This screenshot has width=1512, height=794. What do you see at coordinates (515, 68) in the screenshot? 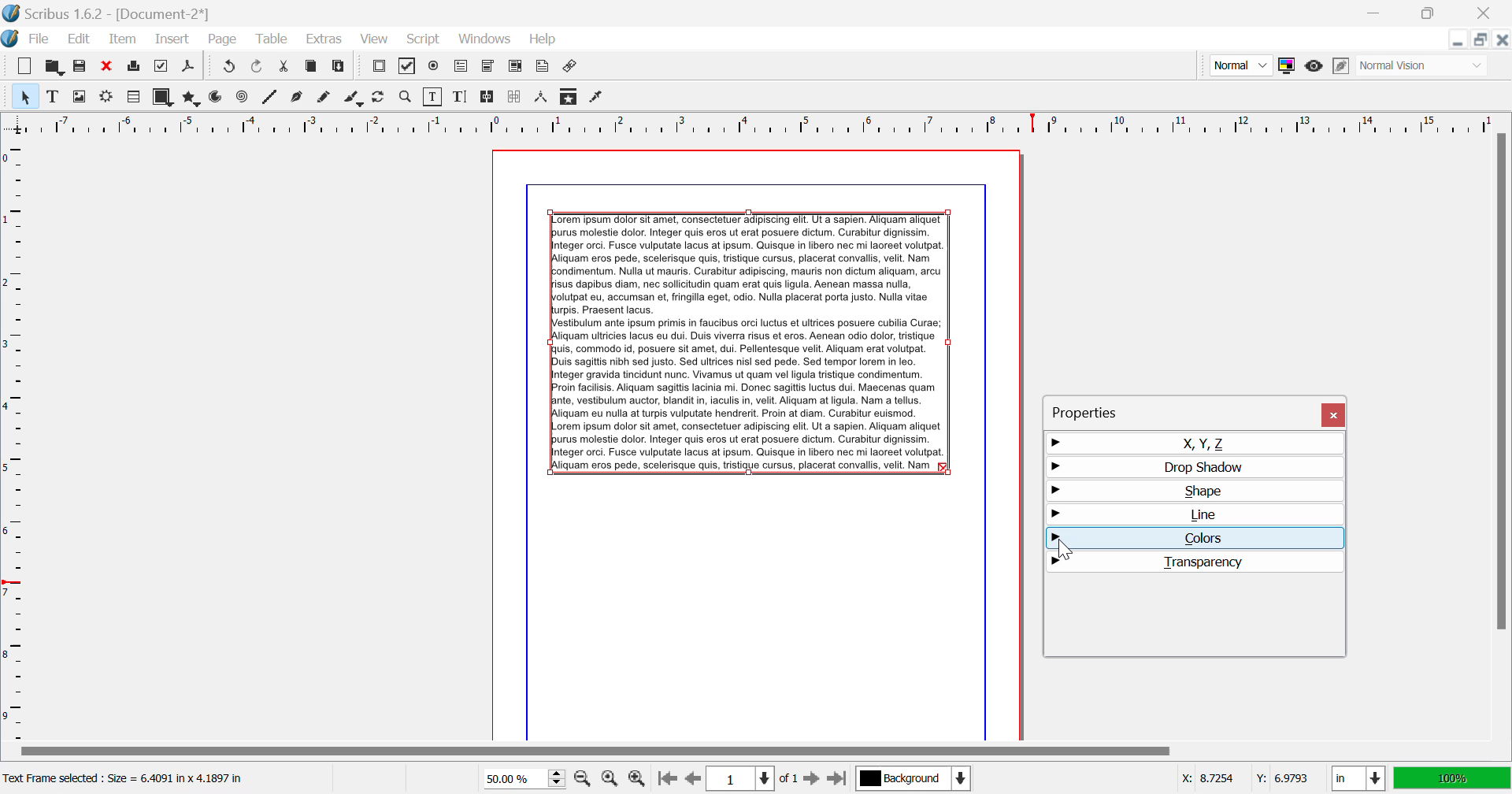
I see `Pdf List Box` at bounding box center [515, 68].